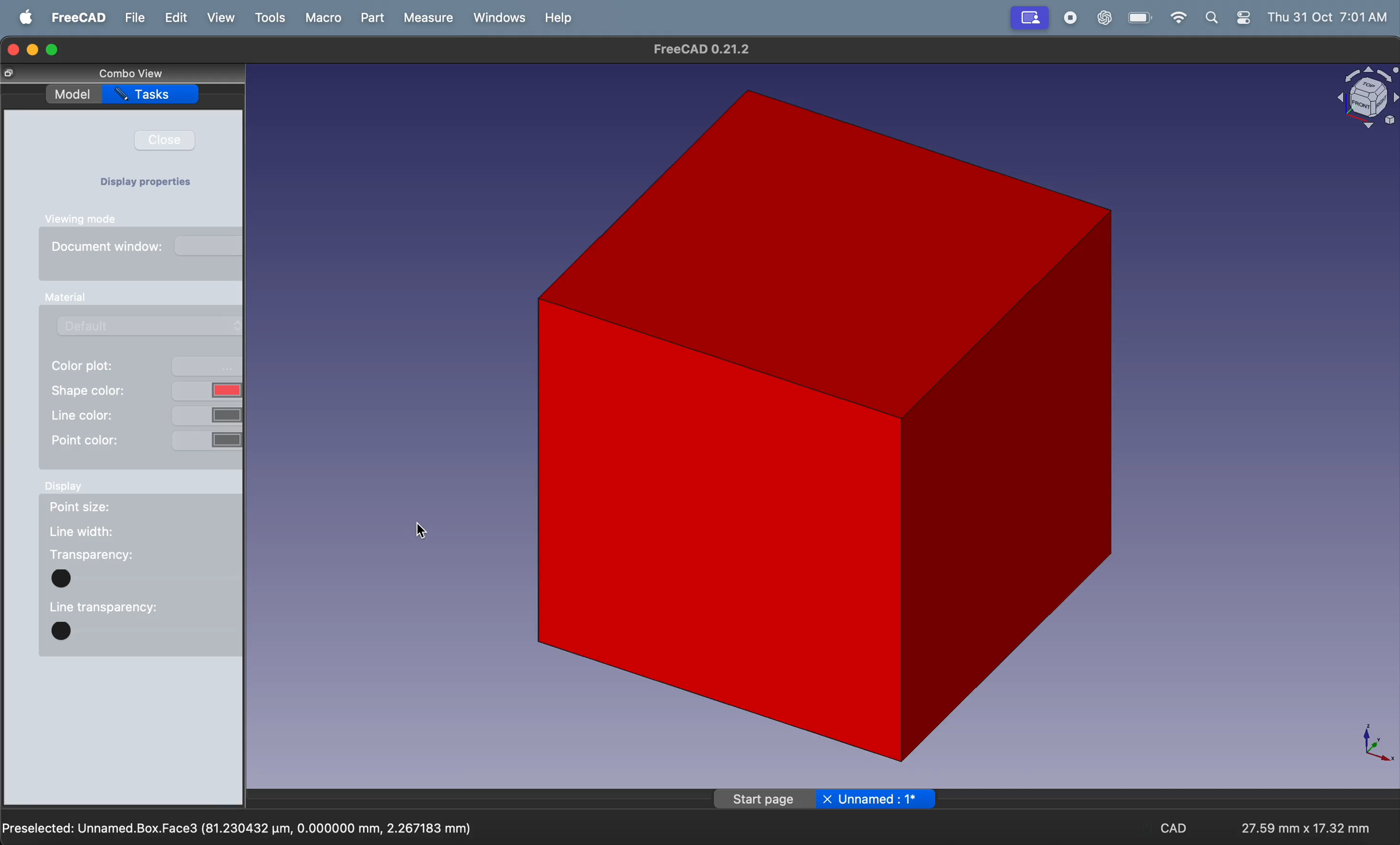 This screenshot has height=845, width=1400. I want to click on toogle, so click(145, 634).